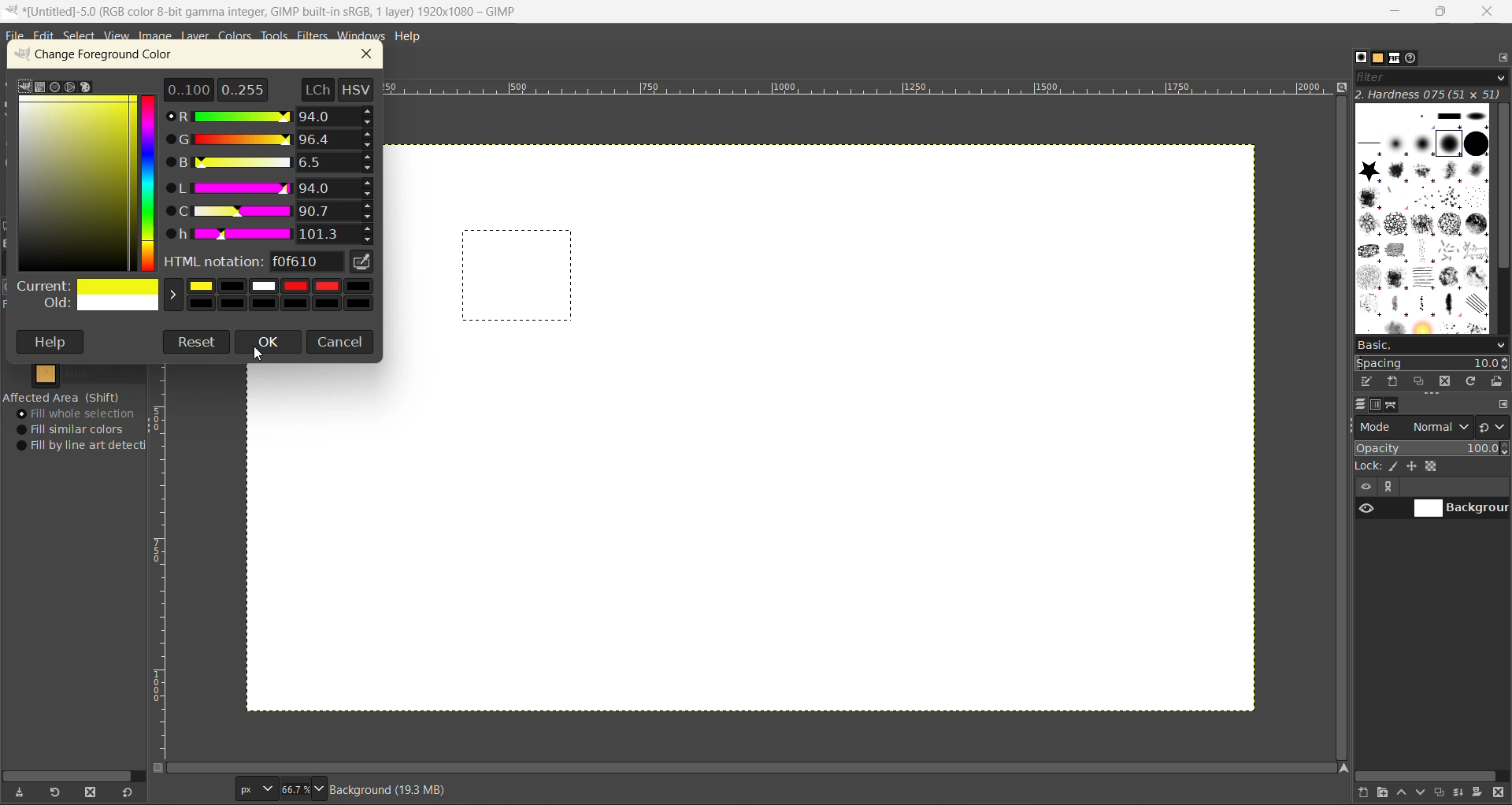 This screenshot has height=805, width=1512. What do you see at coordinates (1424, 793) in the screenshot?
I see `lower this layer` at bounding box center [1424, 793].